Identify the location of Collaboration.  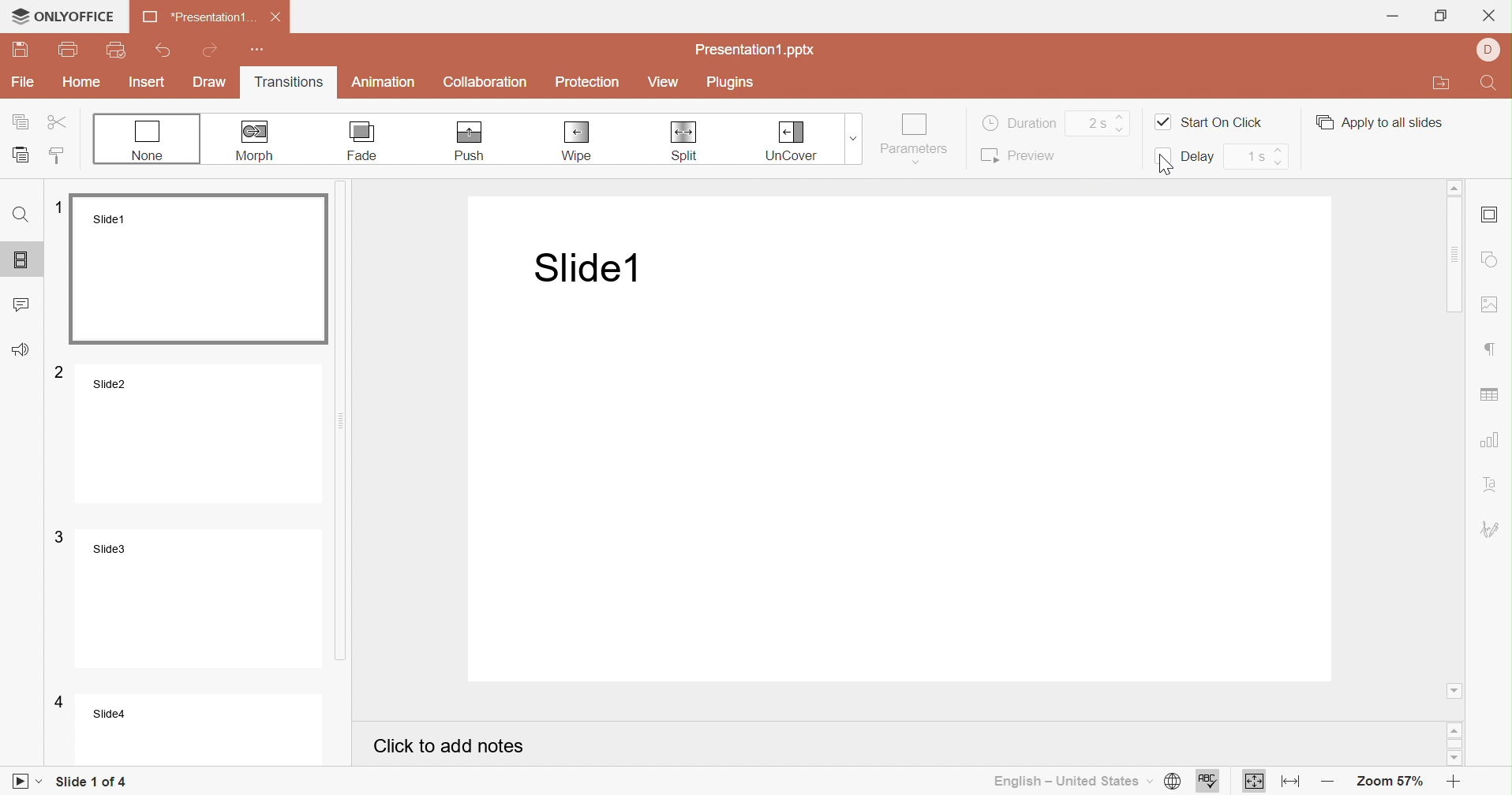
(486, 83).